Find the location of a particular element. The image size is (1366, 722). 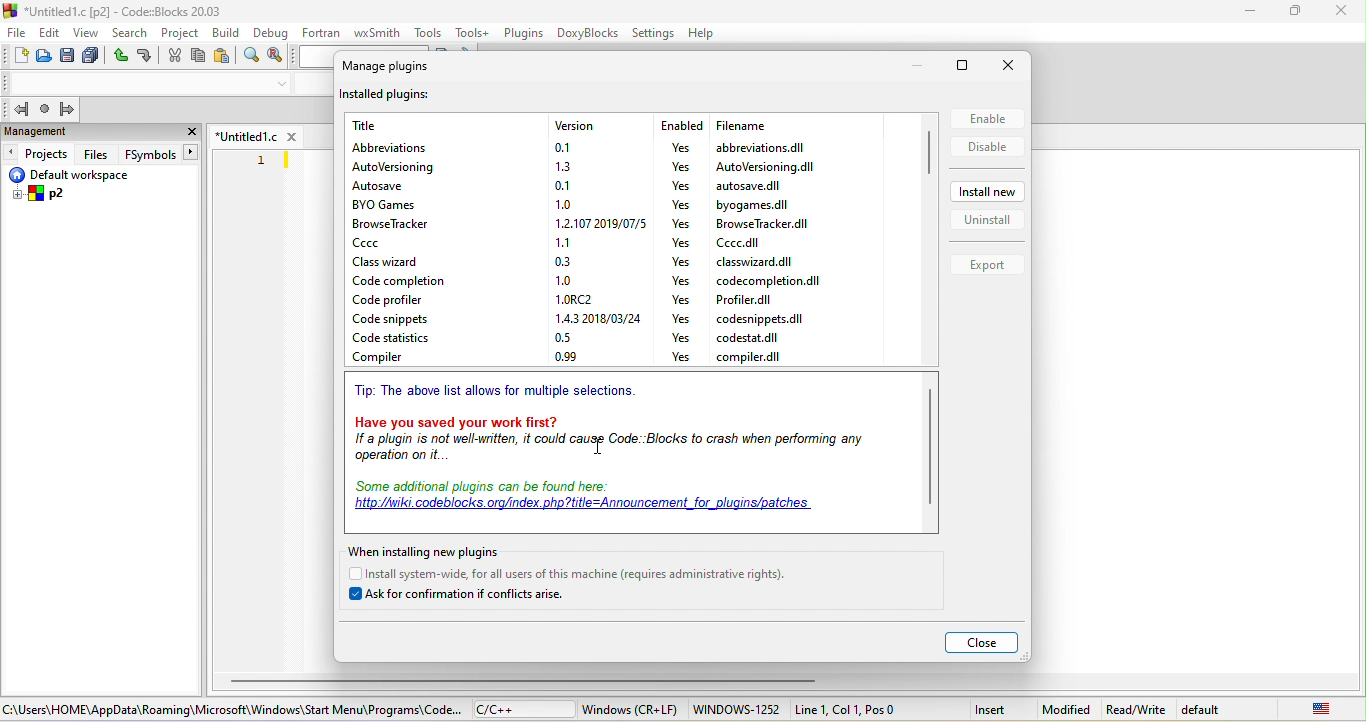

windows-1252 is located at coordinates (738, 710).